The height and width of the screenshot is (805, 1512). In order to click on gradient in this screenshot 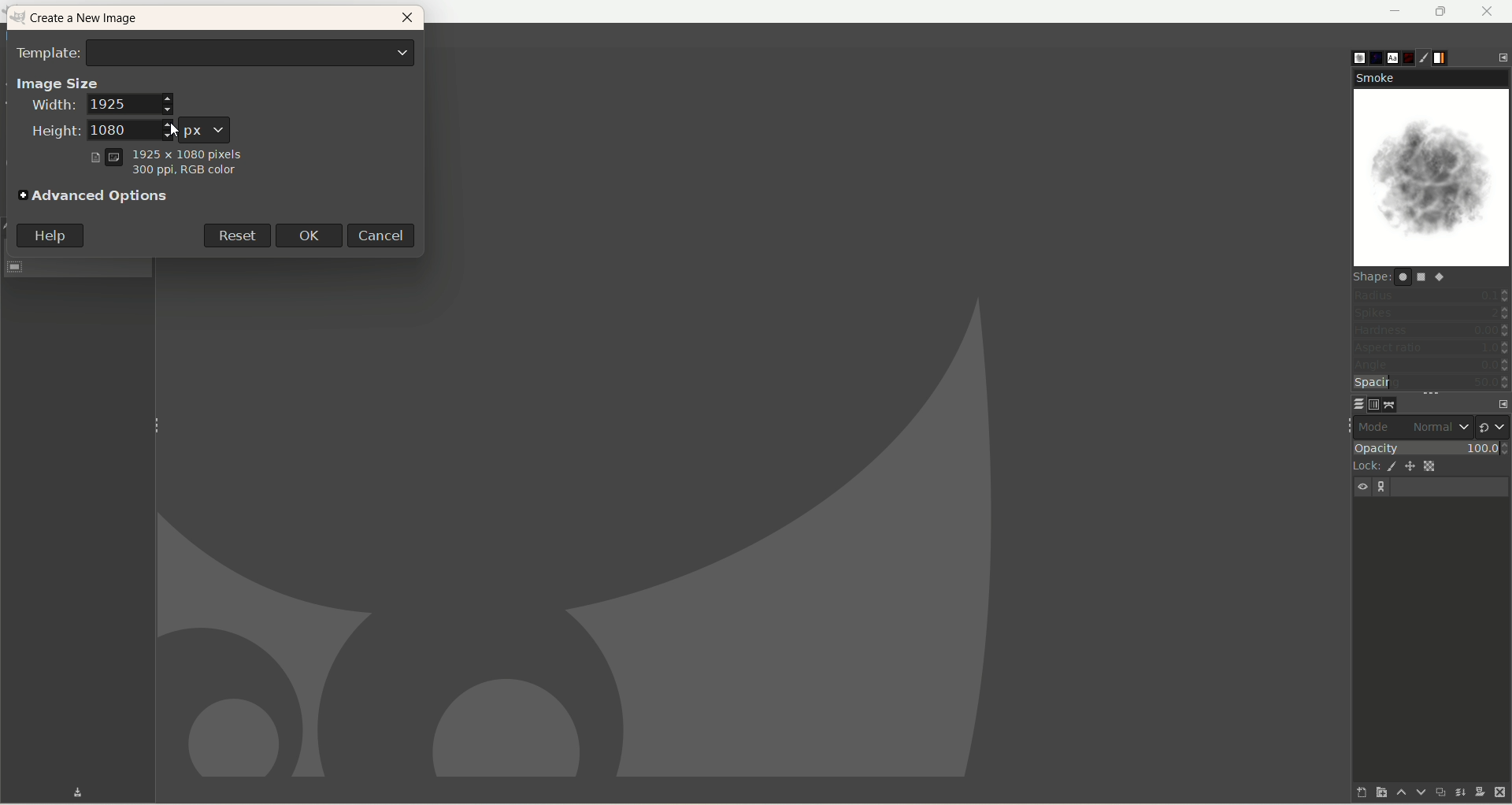, I will do `click(1451, 56)`.